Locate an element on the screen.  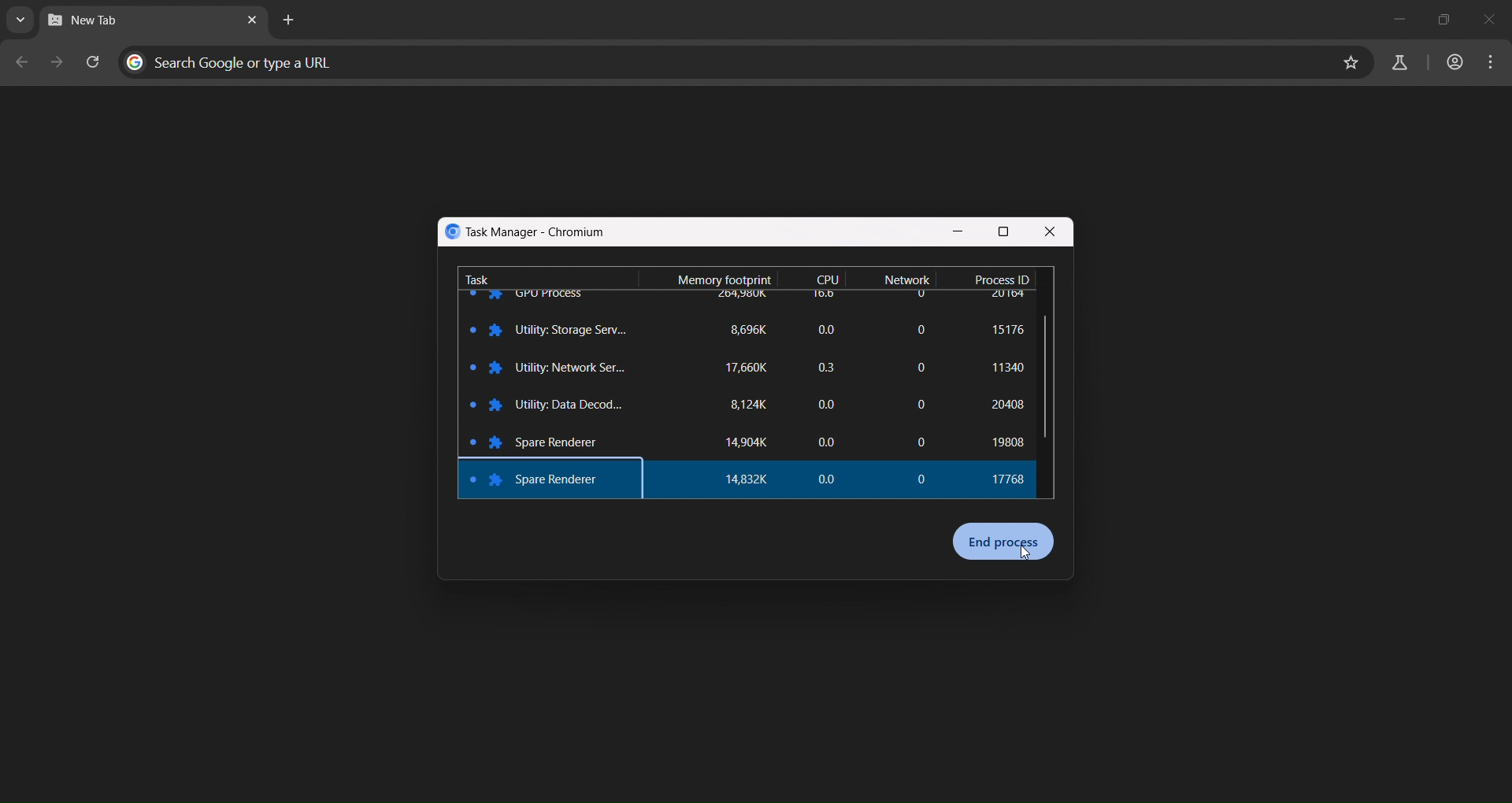
close is located at coordinates (1051, 234).